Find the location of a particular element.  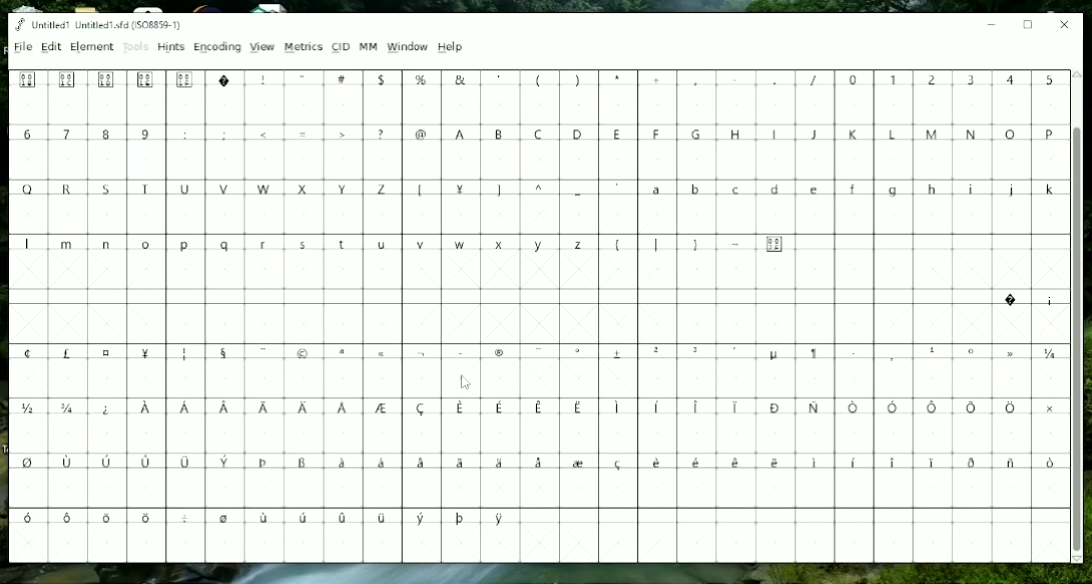

Symbols is located at coordinates (308, 134).